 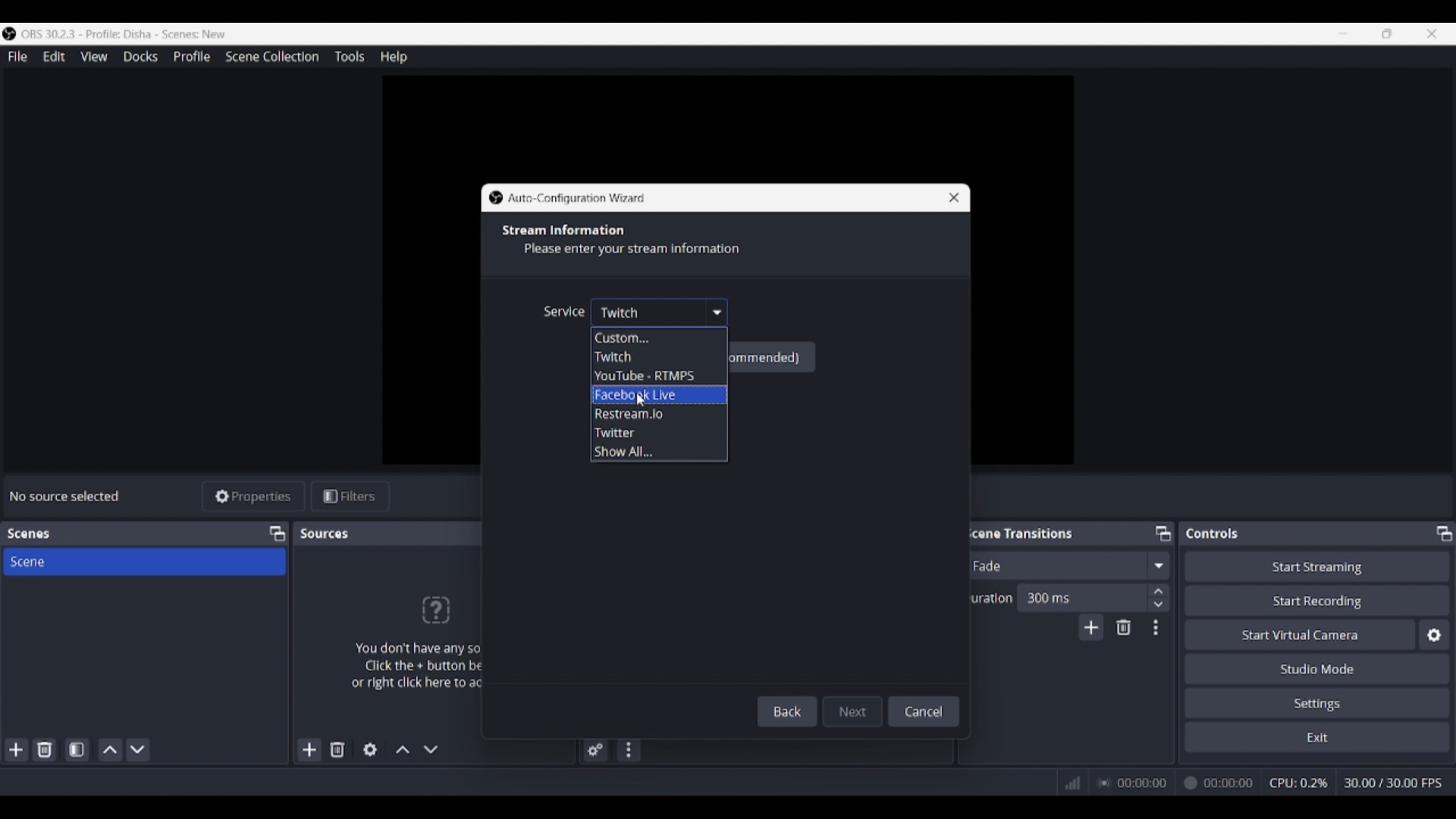 What do you see at coordinates (17, 56) in the screenshot?
I see `File menu` at bounding box center [17, 56].